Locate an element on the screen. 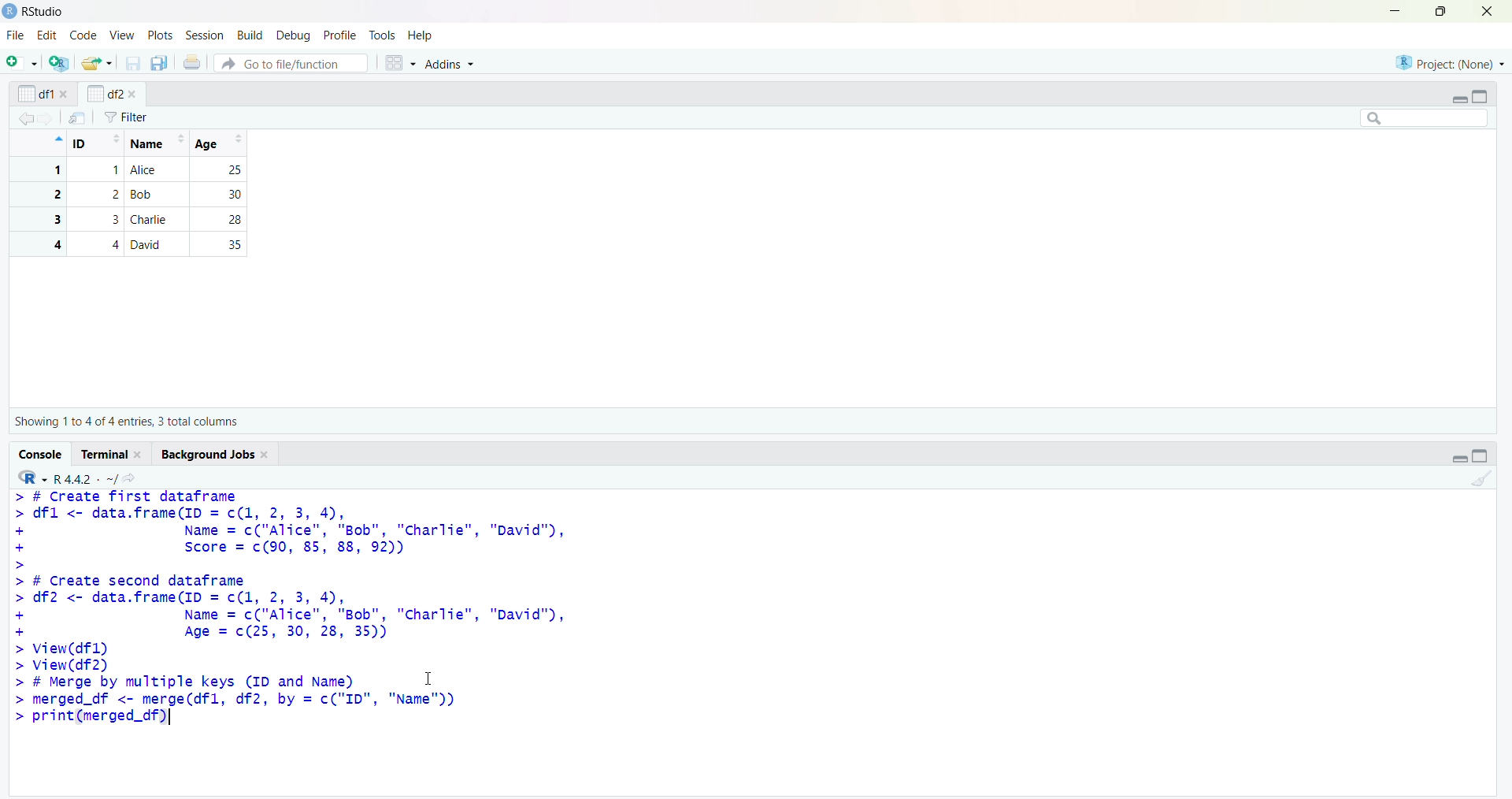 Image resolution: width=1512 pixels, height=799 pixels. share icon is located at coordinates (130, 478).